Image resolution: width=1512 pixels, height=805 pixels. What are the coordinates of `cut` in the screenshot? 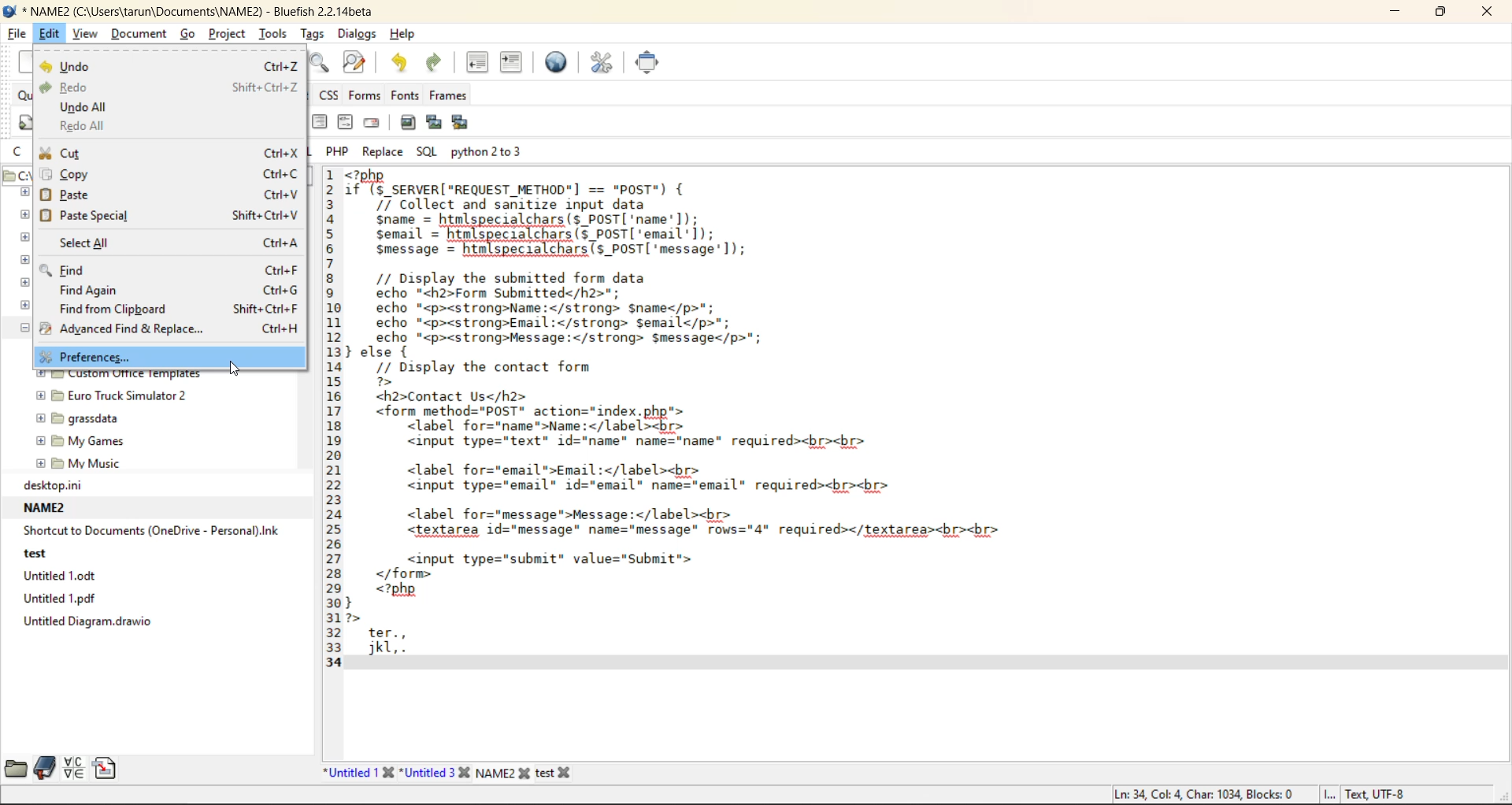 It's located at (172, 152).